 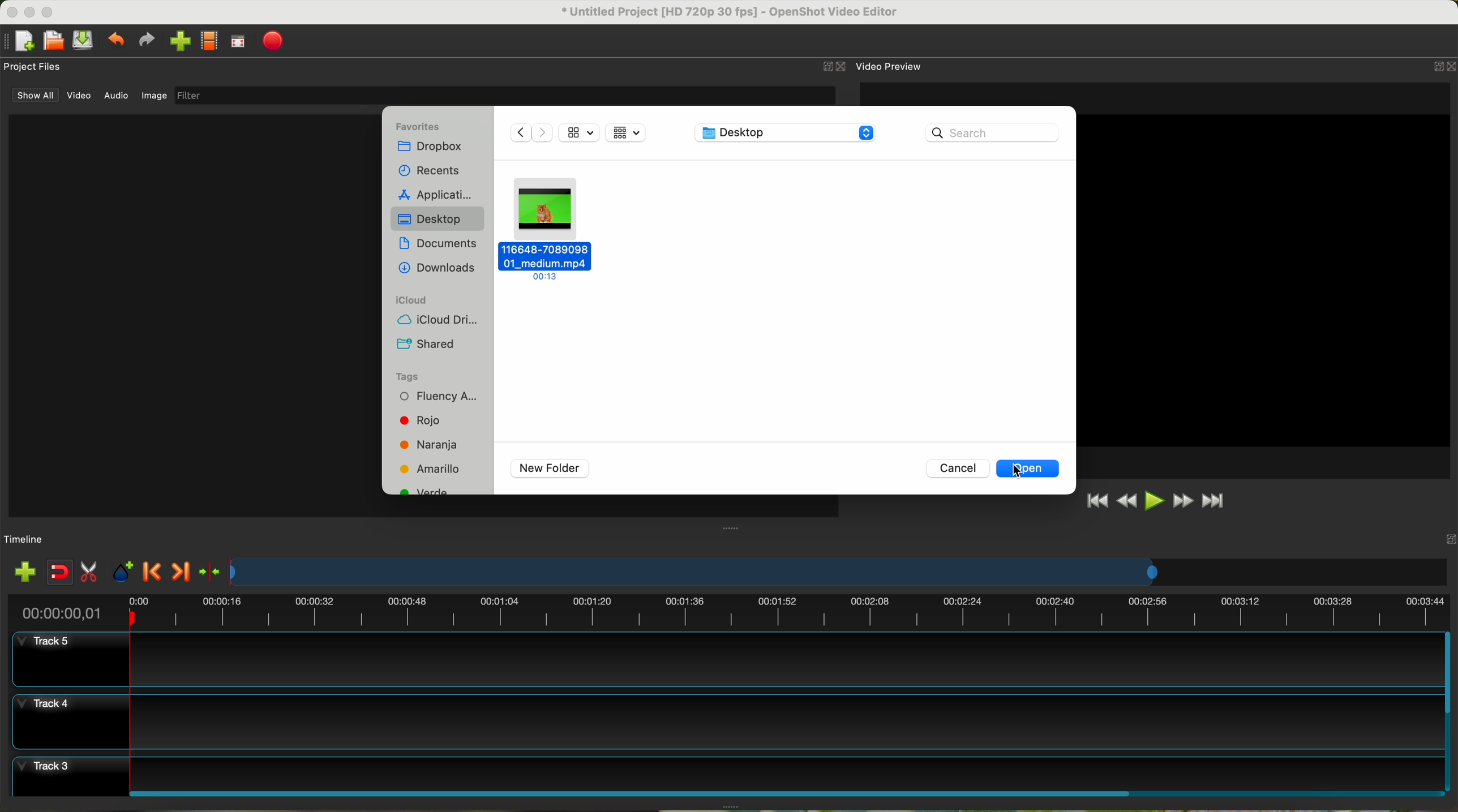 What do you see at coordinates (427, 492) in the screenshot?
I see `green tag` at bounding box center [427, 492].